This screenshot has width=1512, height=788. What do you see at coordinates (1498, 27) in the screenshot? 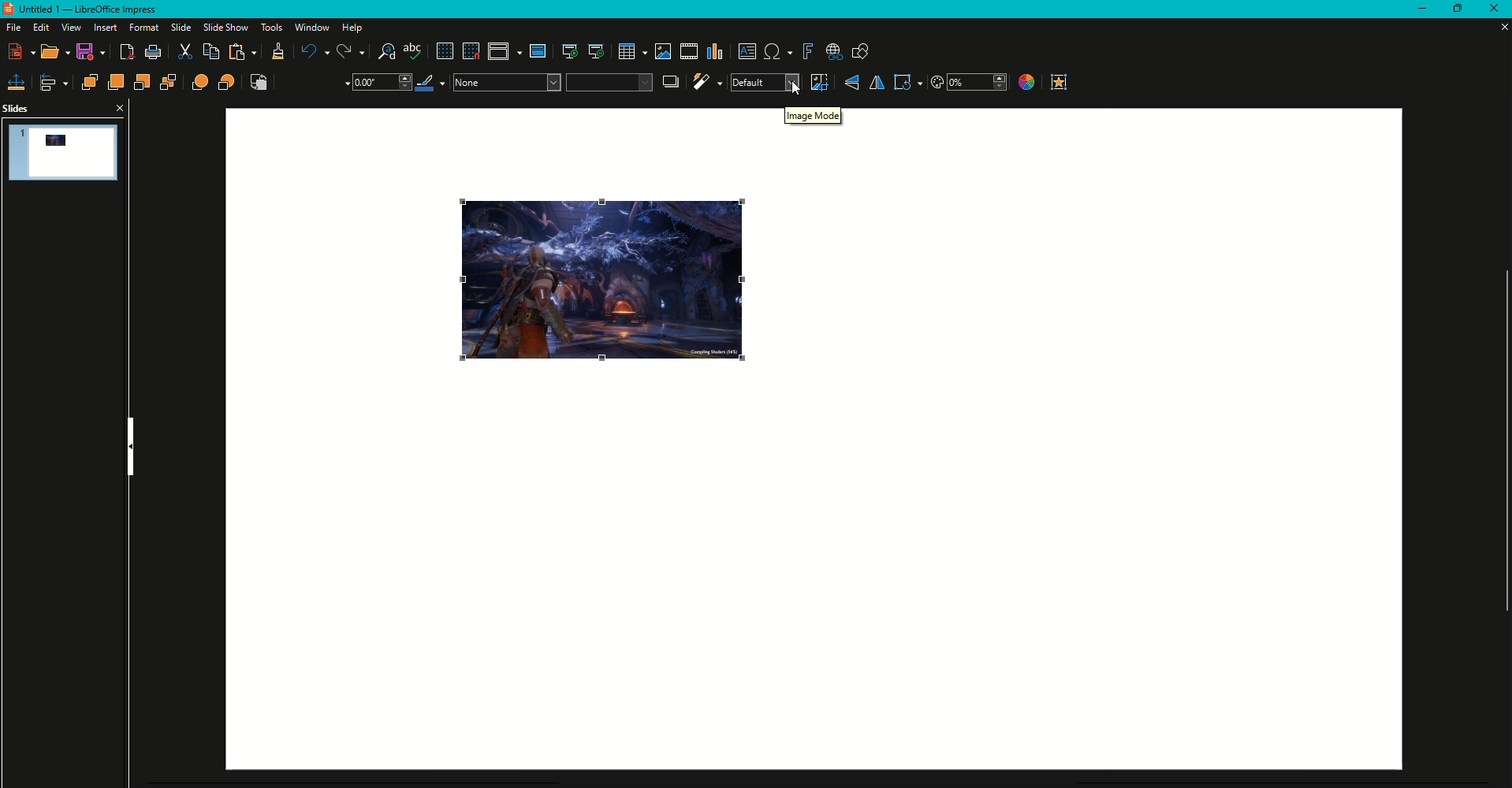
I see `Close sheet` at bounding box center [1498, 27].